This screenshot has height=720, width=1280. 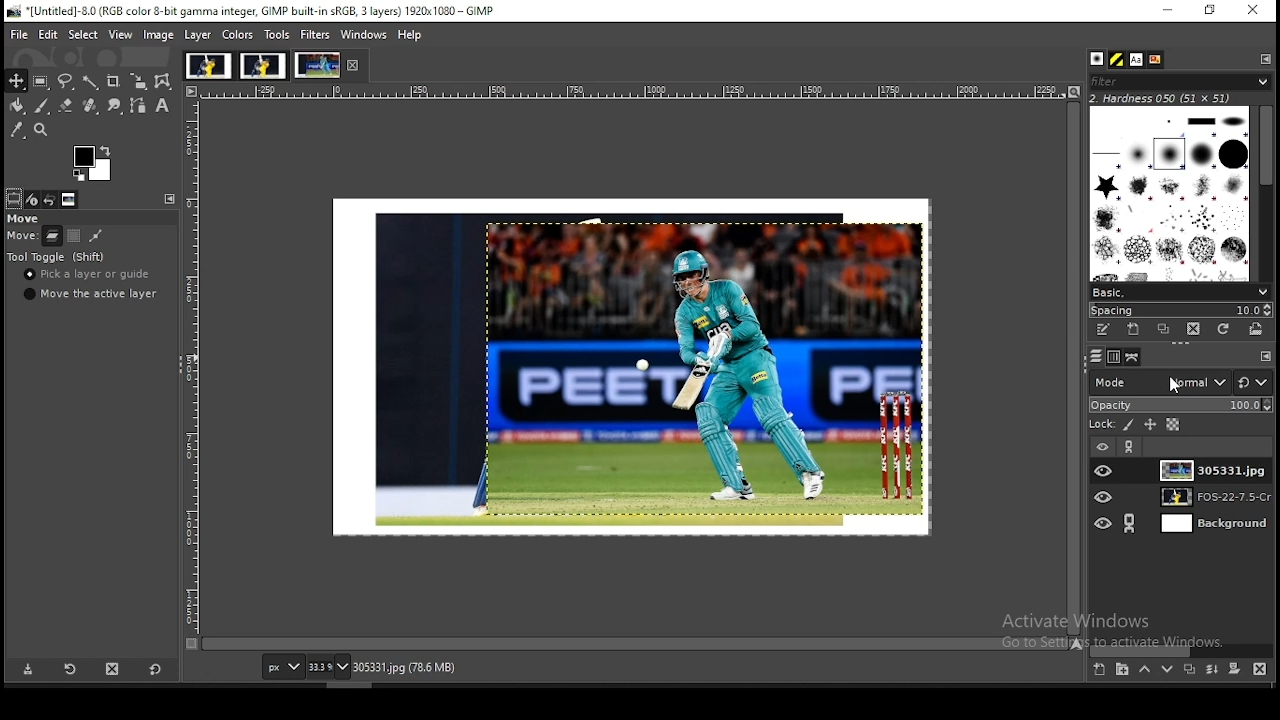 What do you see at coordinates (1265, 356) in the screenshot?
I see `configure this tab` at bounding box center [1265, 356].